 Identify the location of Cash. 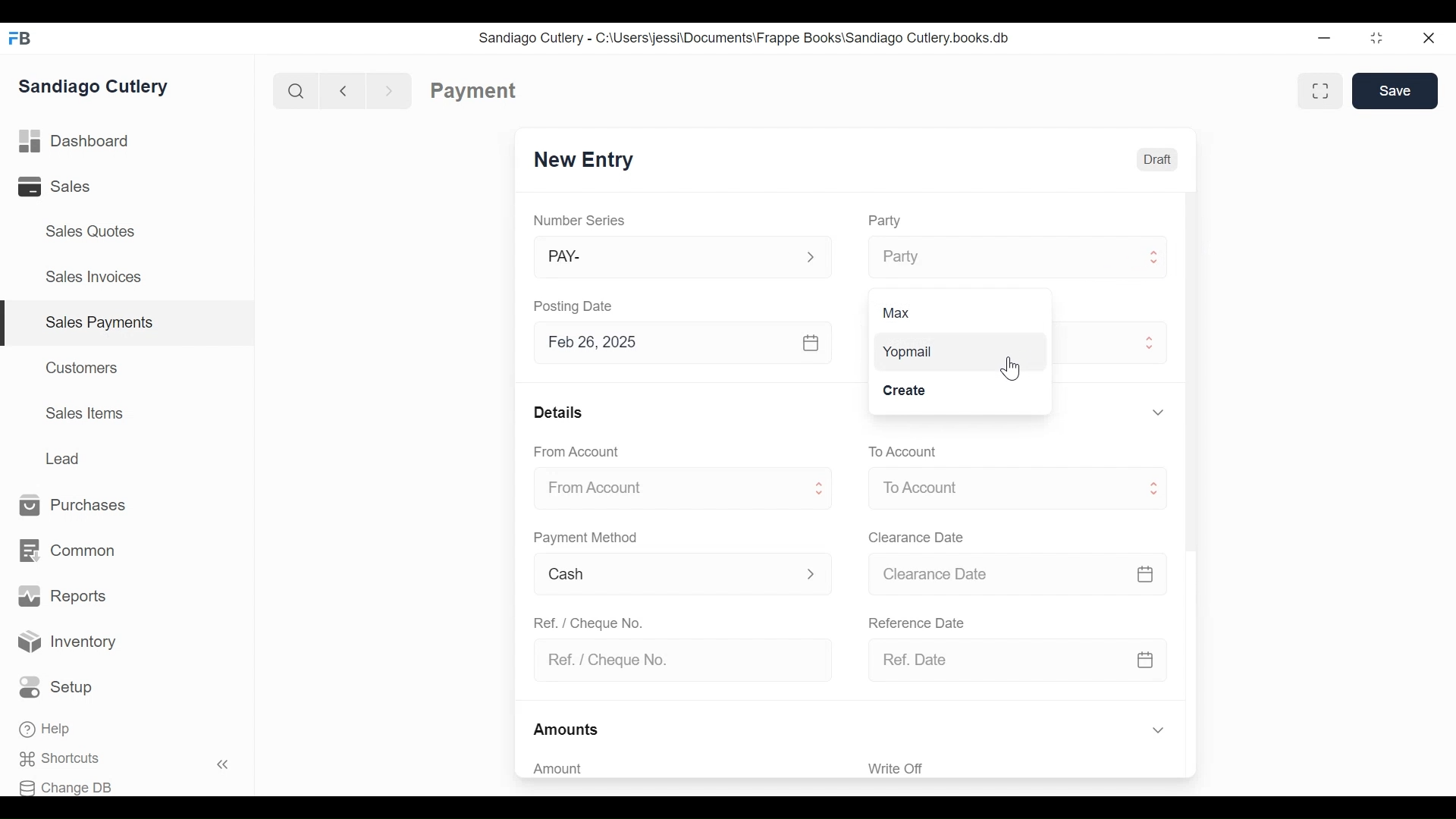
(665, 575).